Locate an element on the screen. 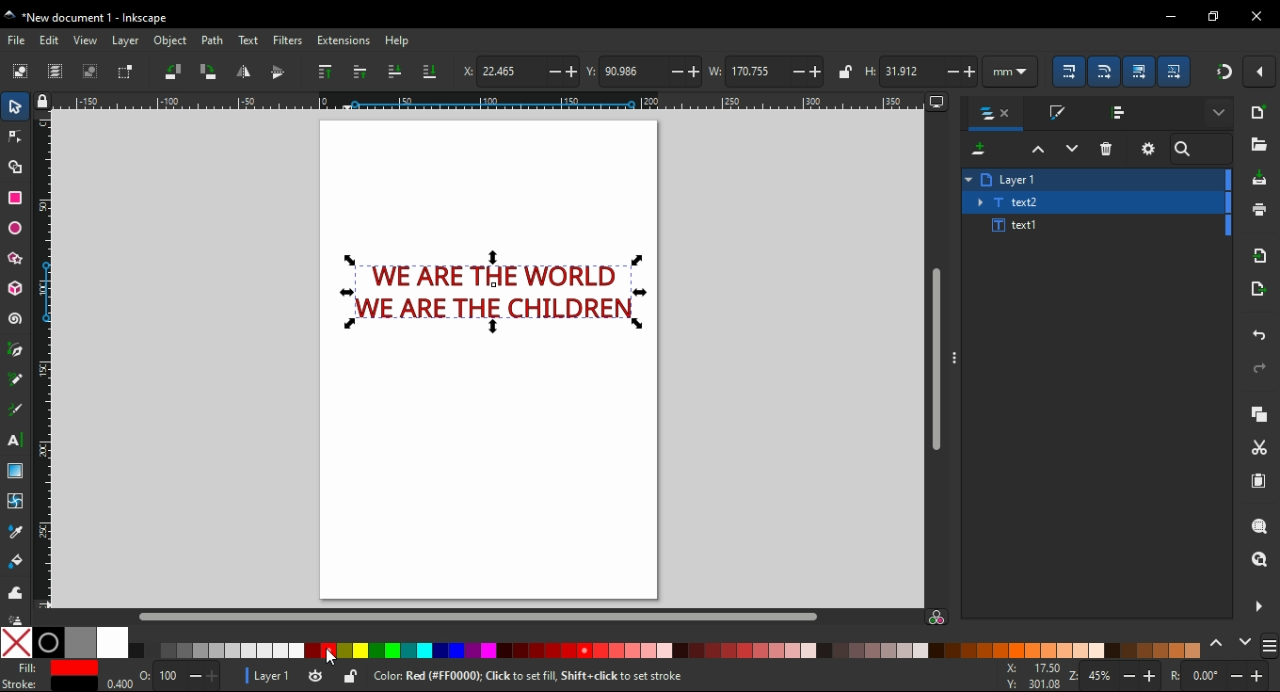 Image resolution: width=1280 pixels, height=692 pixels. selected object unlocked is located at coordinates (349, 678).